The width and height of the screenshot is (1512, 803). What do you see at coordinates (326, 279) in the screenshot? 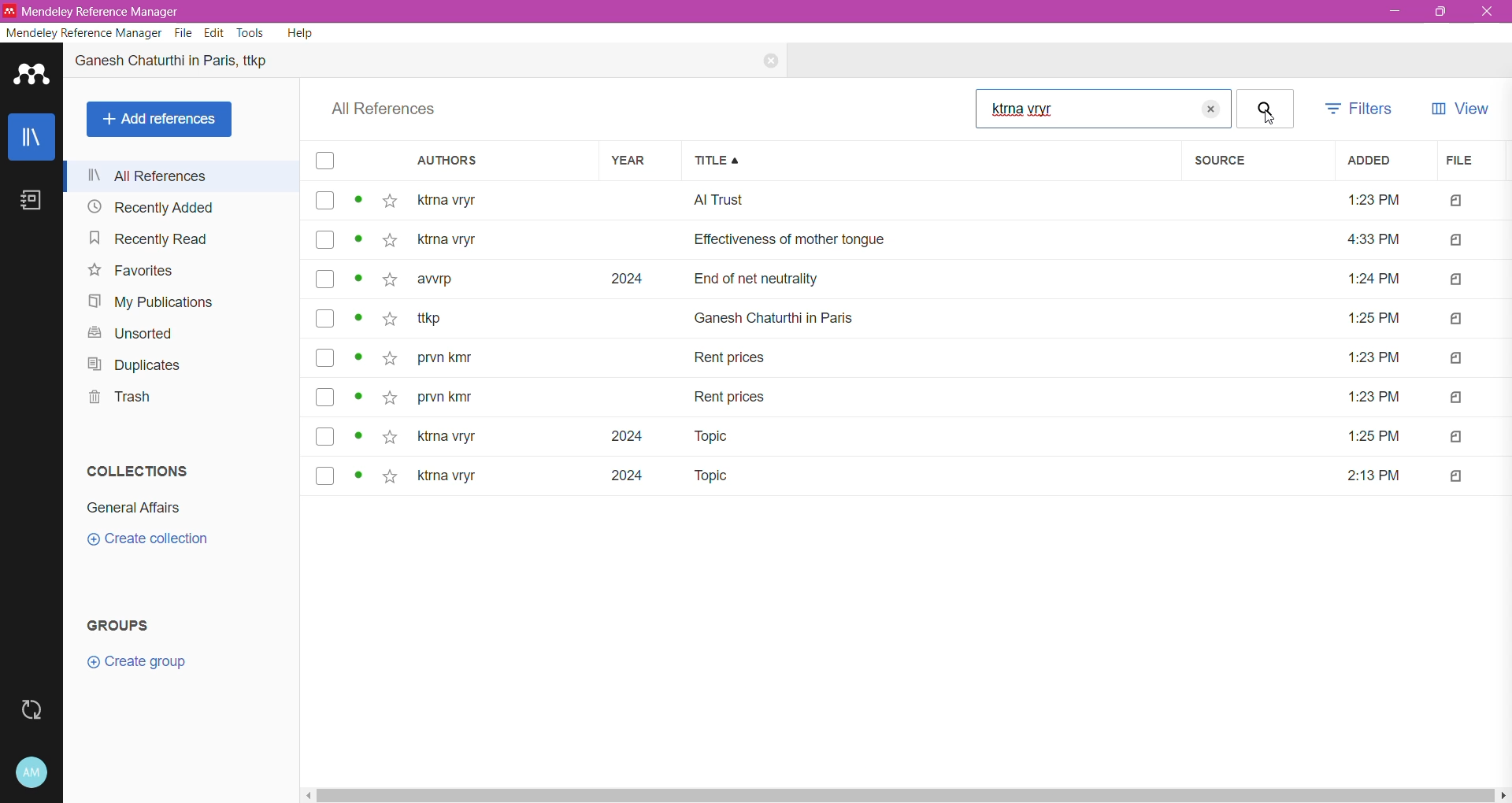
I see `select reference ` at bounding box center [326, 279].